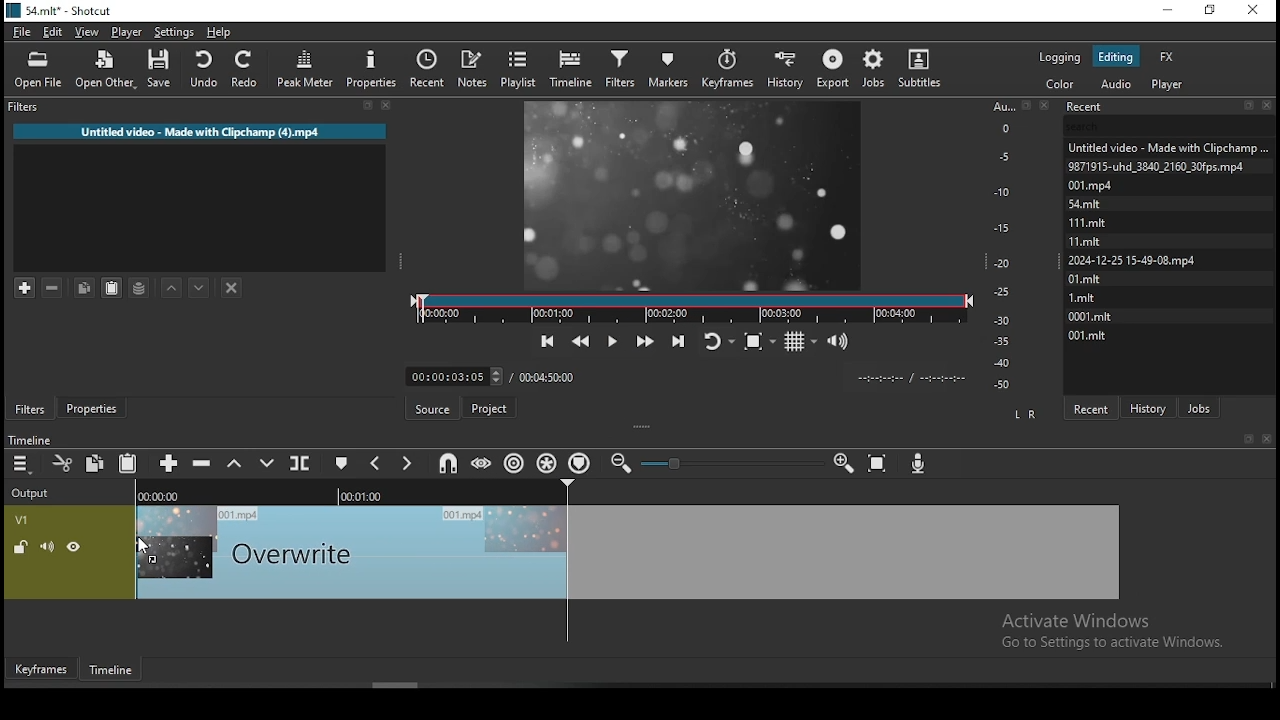 Image resolution: width=1280 pixels, height=720 pixels. What do you see at coordinates (106, 72) in the screenshot?
I see `open other` at bounding box center [106, 72].